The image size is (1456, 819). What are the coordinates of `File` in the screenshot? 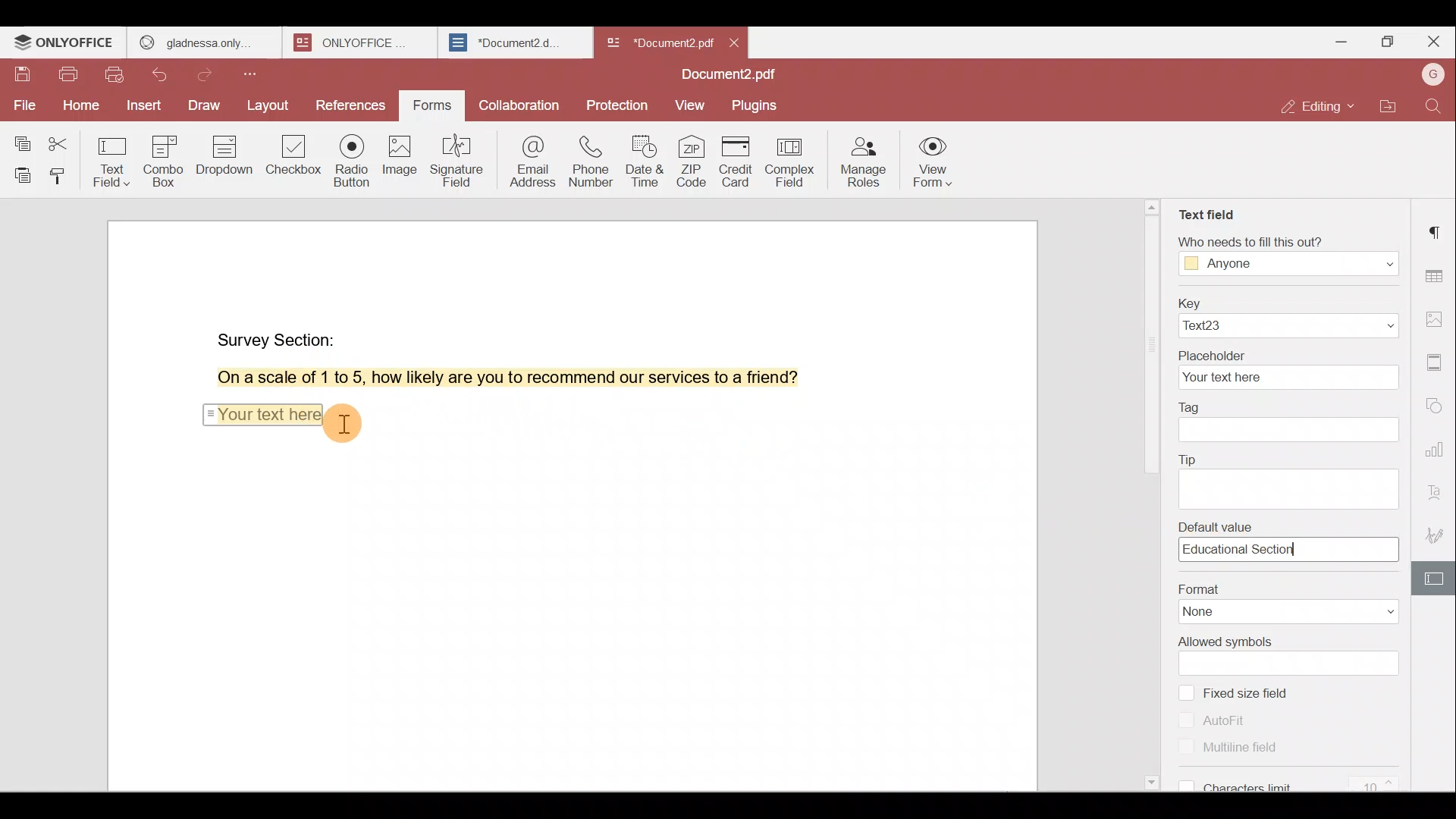 It's located at (23, 105).